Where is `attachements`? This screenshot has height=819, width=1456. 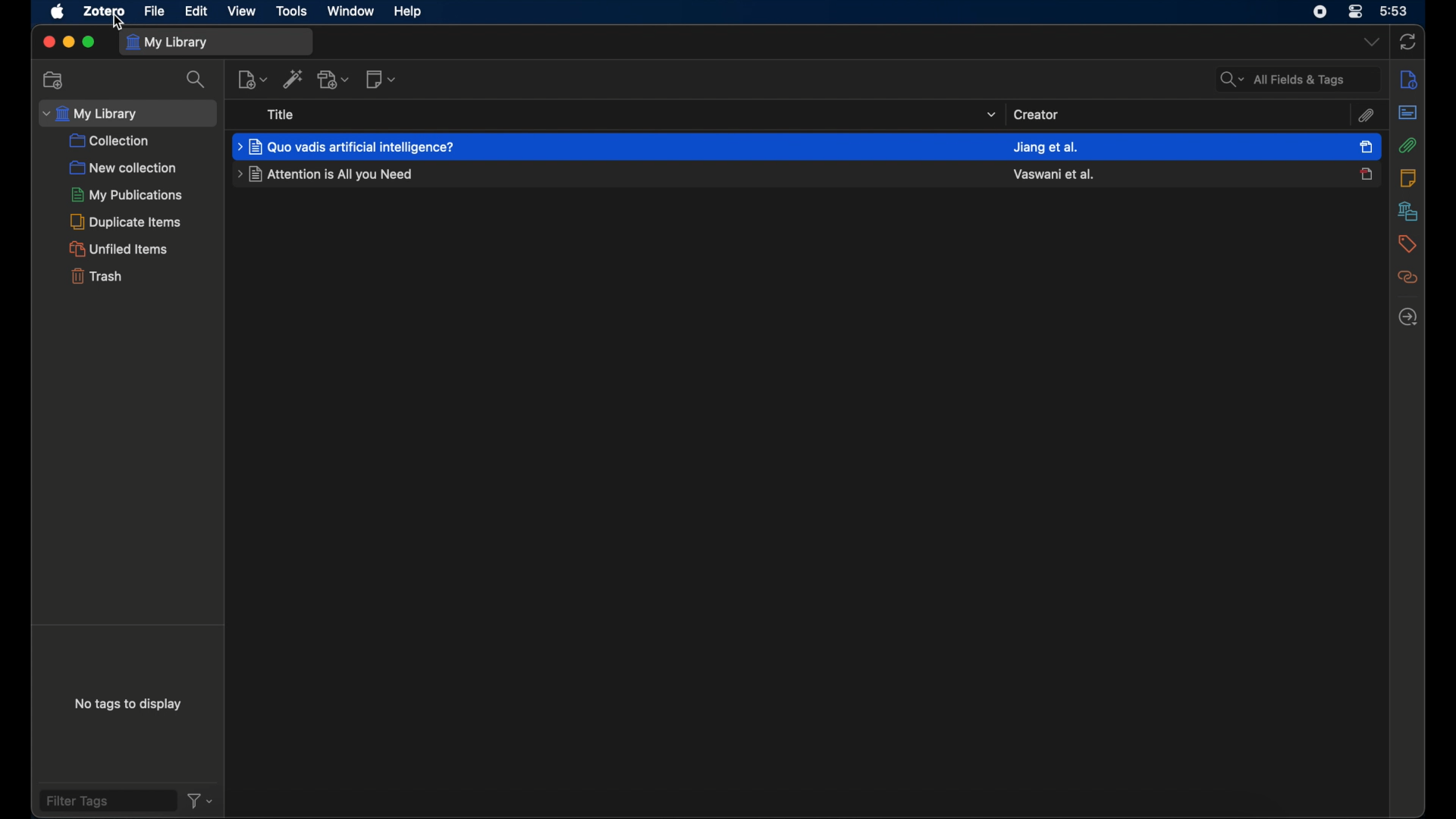
attachements is located at coordinates (1366, 115).